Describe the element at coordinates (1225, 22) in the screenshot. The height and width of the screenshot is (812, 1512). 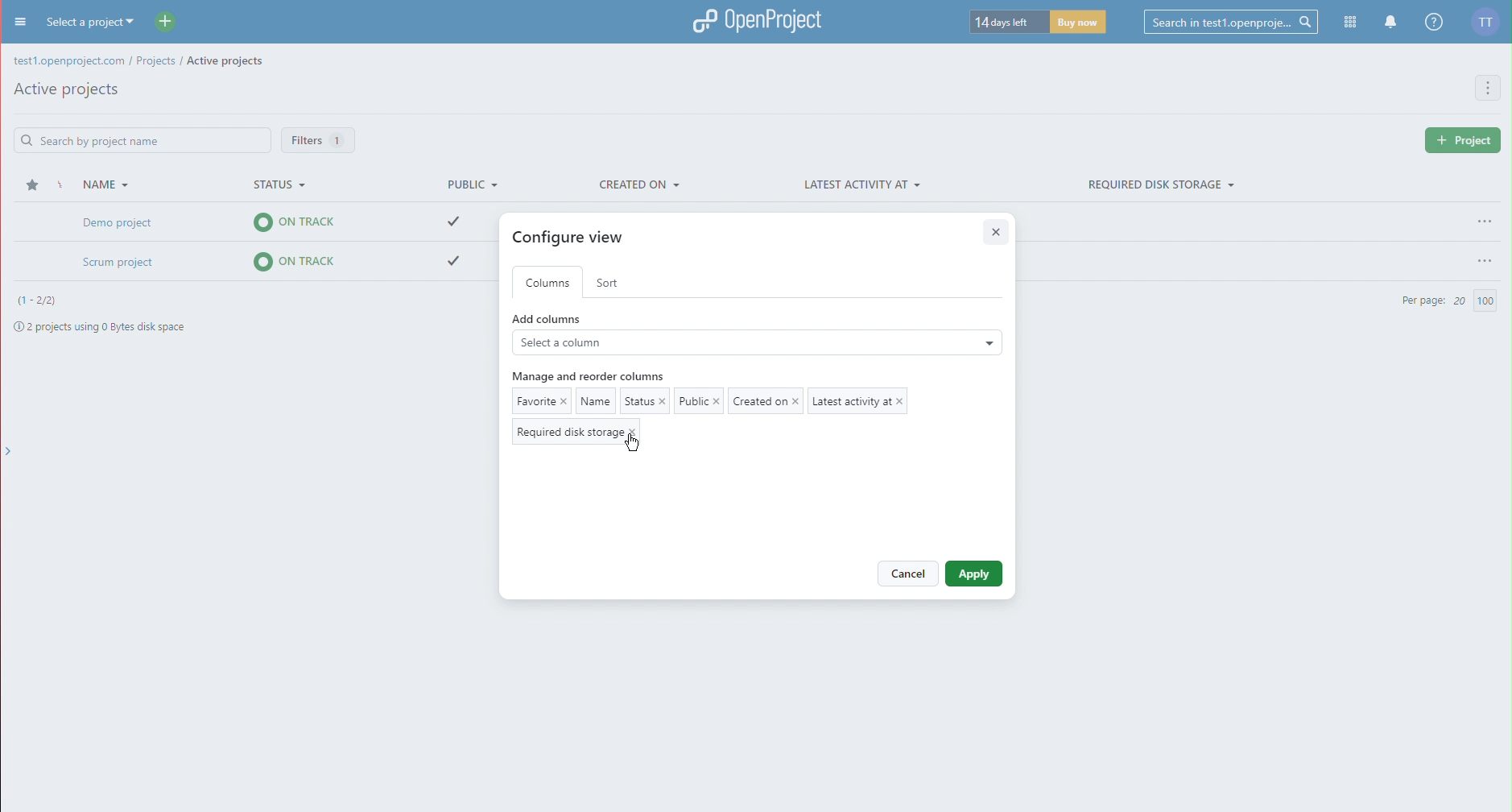
I see `Searchbar` at that location.